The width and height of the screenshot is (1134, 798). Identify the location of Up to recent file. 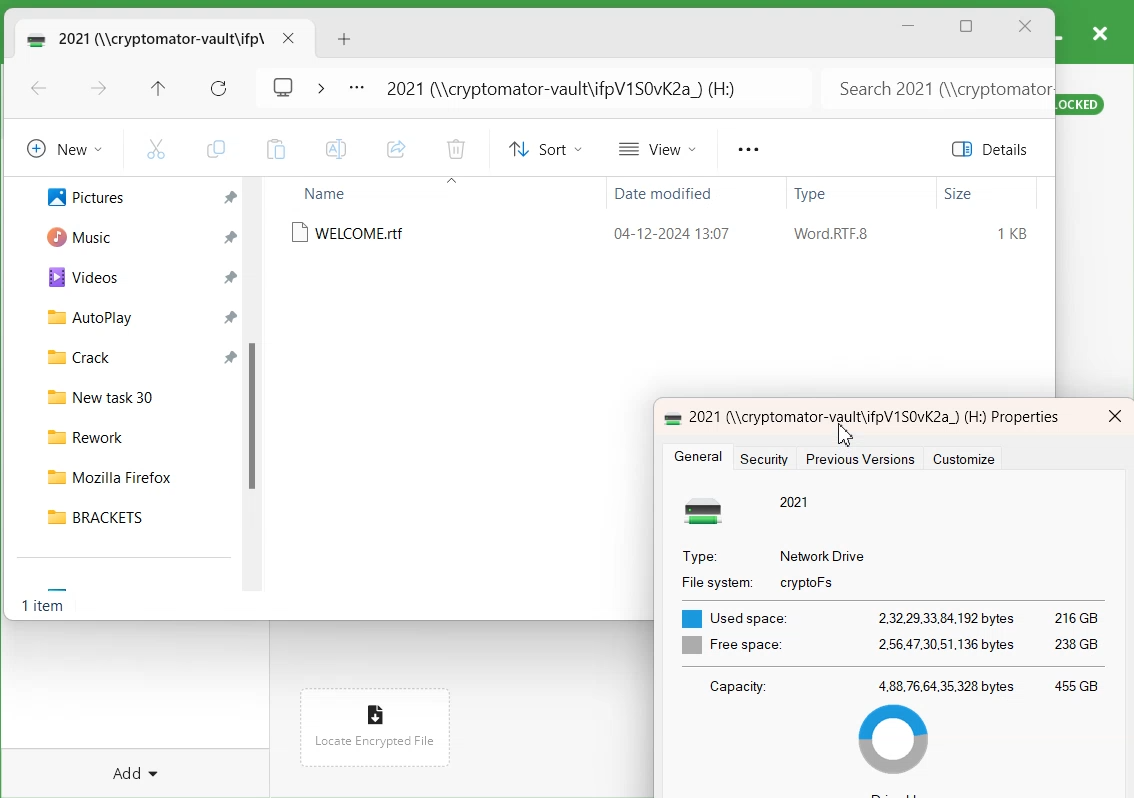
(158, 90).